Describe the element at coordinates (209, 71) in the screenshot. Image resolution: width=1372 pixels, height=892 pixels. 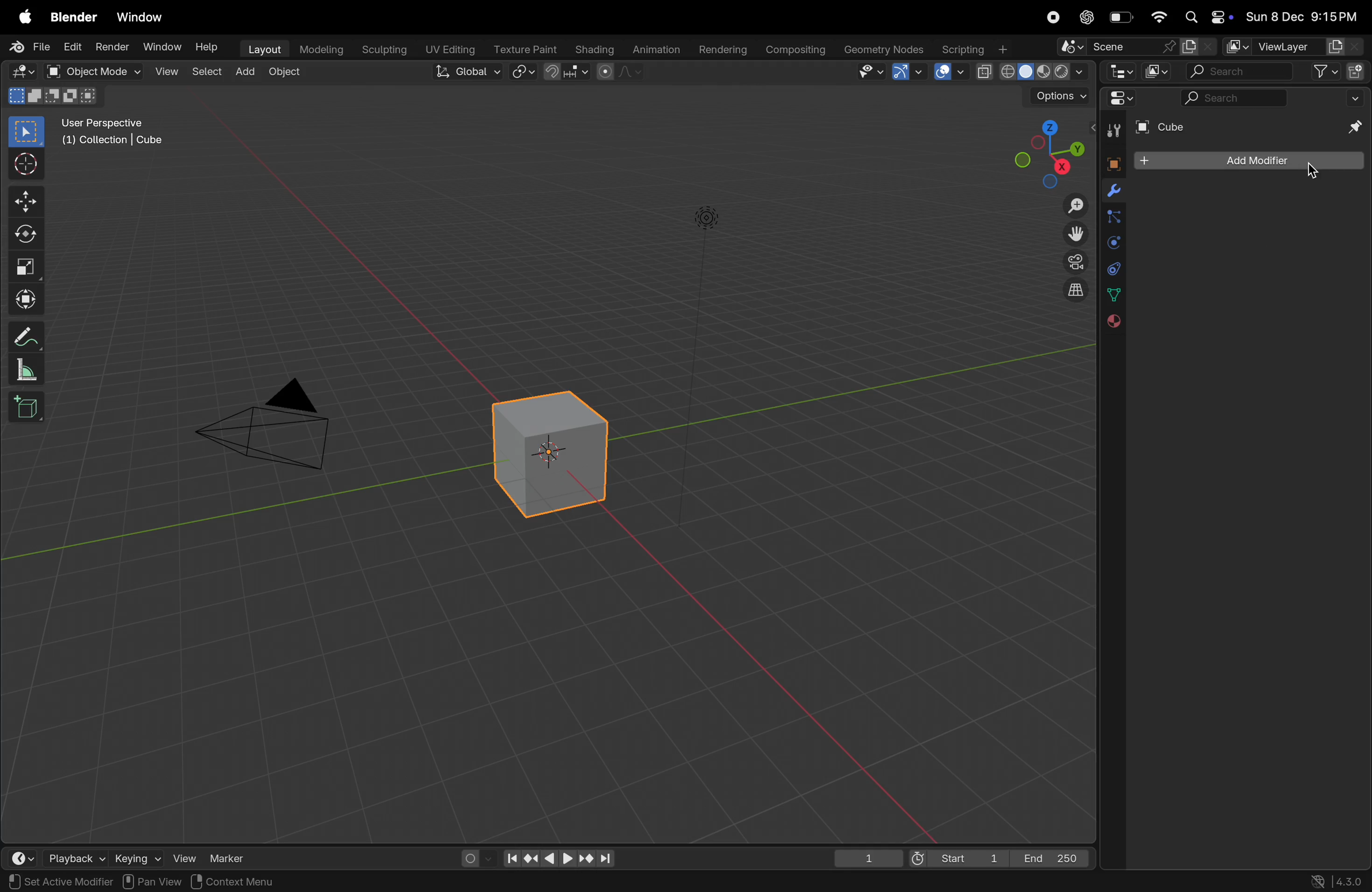
I see `select` at that location.